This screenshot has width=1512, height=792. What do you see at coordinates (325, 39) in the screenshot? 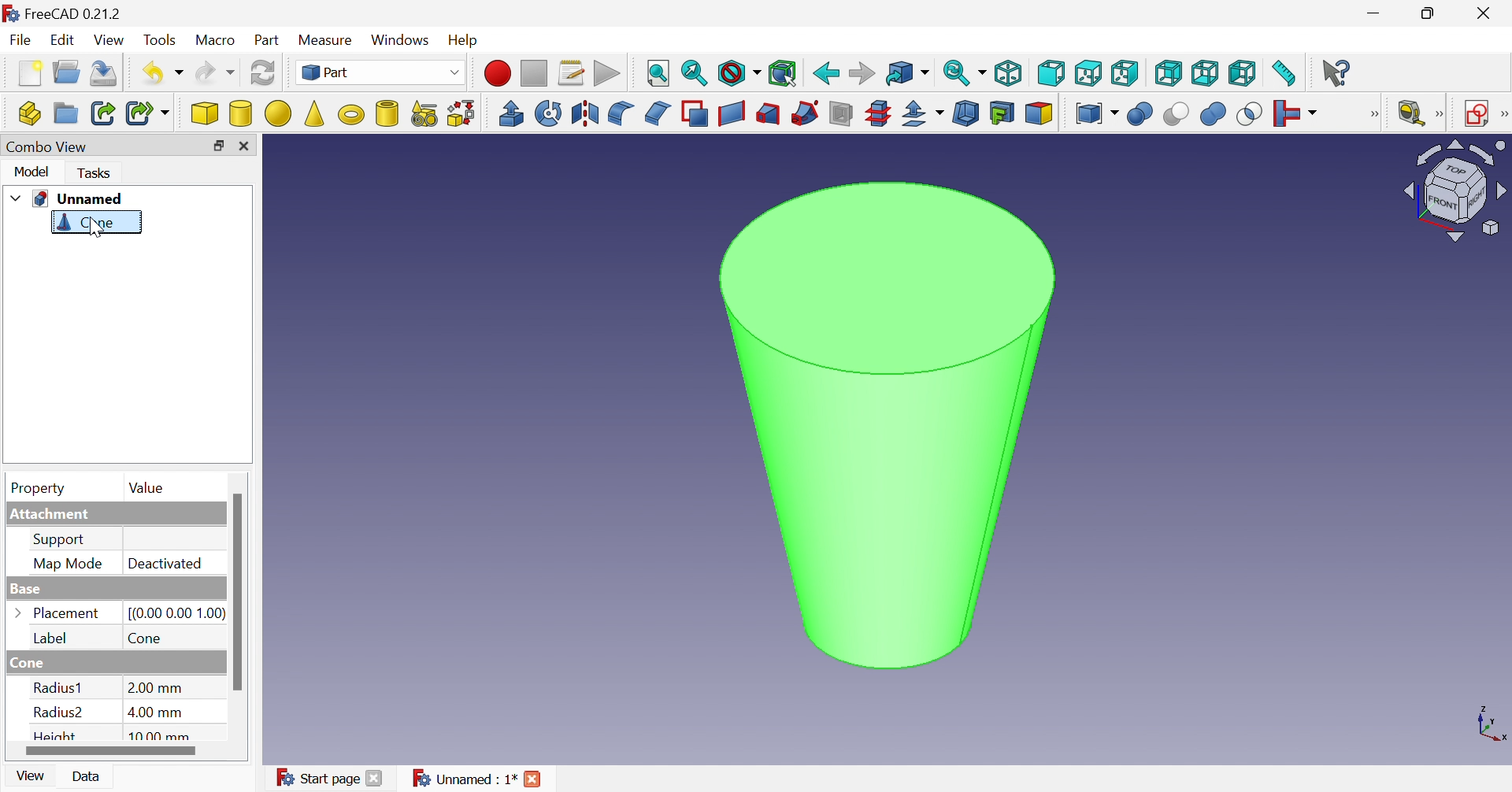
I see `Measure` at bounding box center [325, 39].